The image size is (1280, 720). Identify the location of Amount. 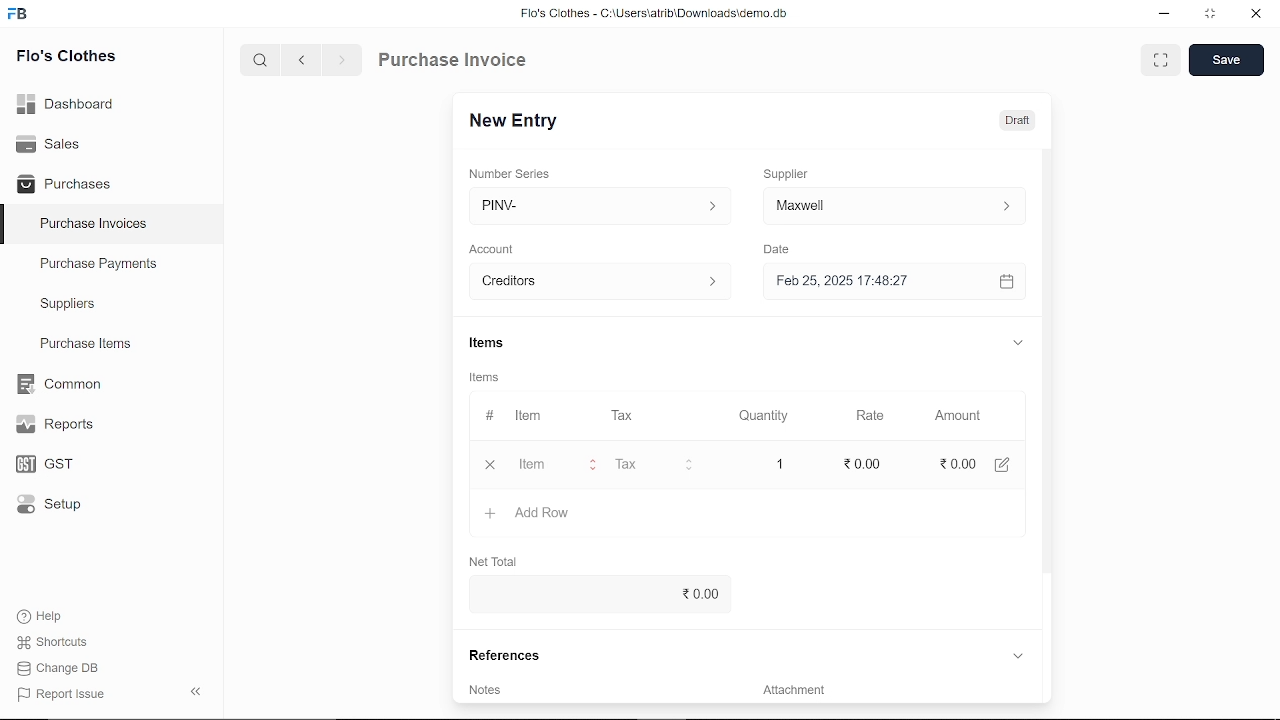
(956, 414).